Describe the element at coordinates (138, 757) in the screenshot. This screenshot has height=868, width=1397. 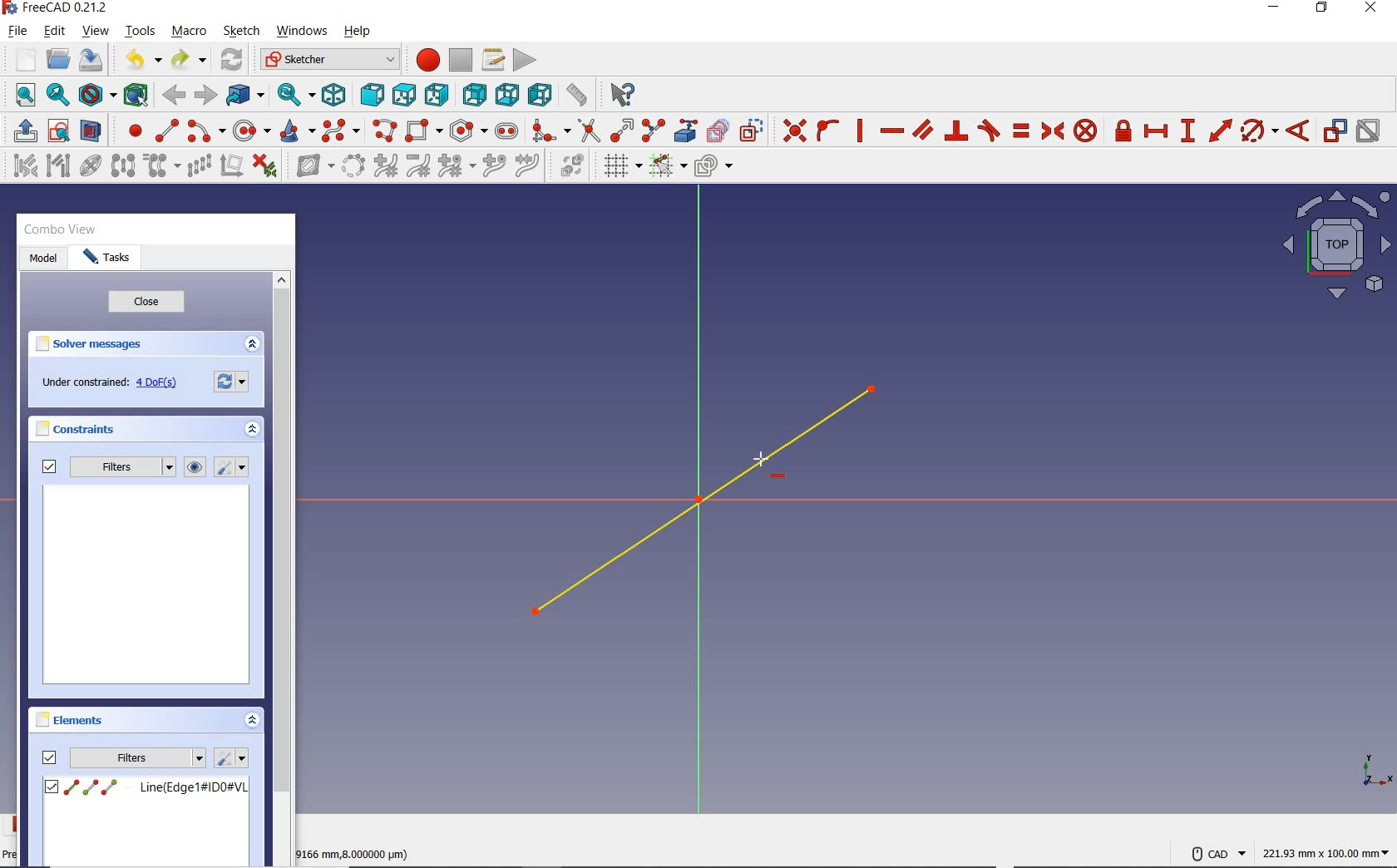
I see `FILTERS` at that location.